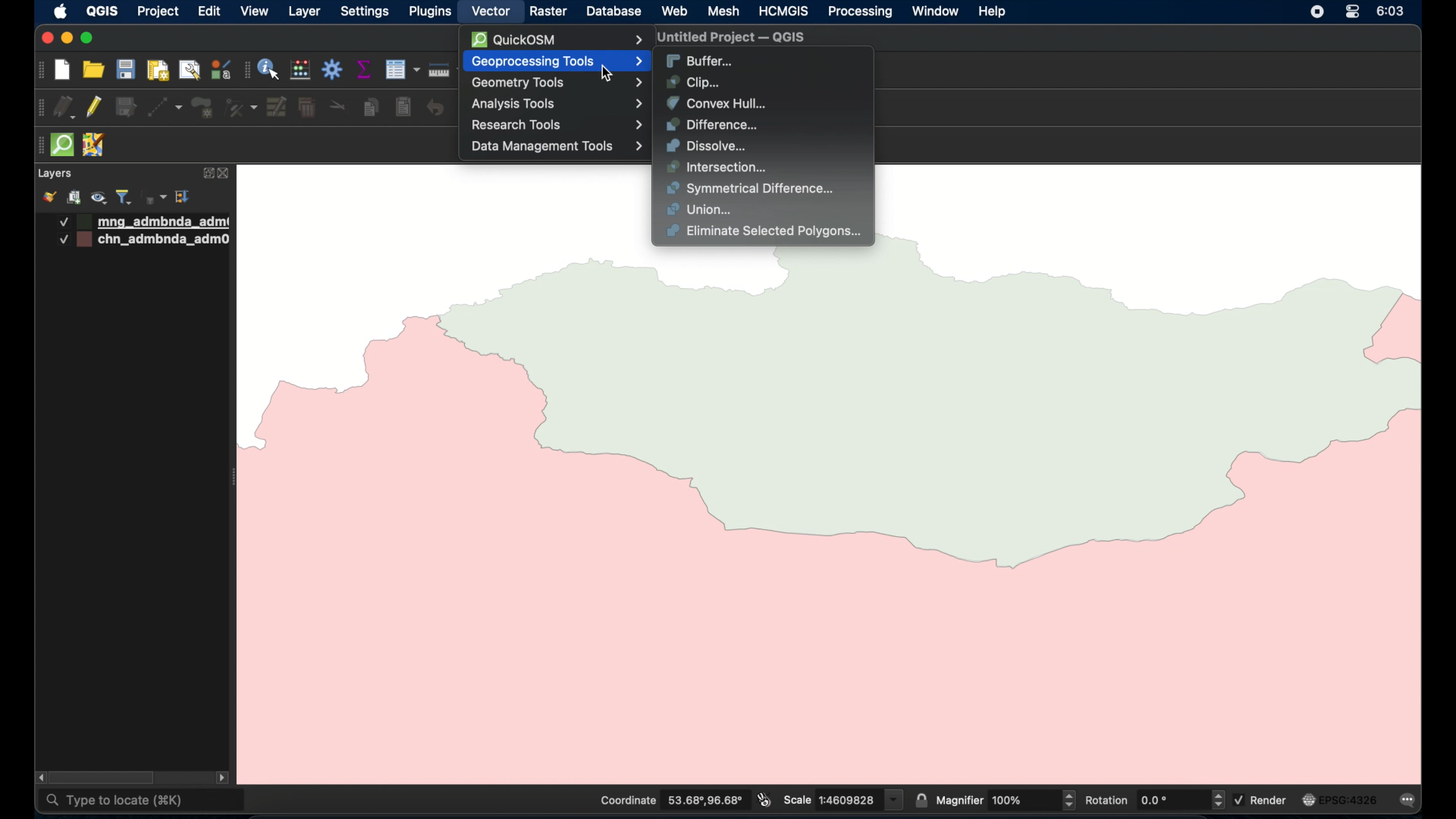  I want to click on lock scale, so click(921, 799).